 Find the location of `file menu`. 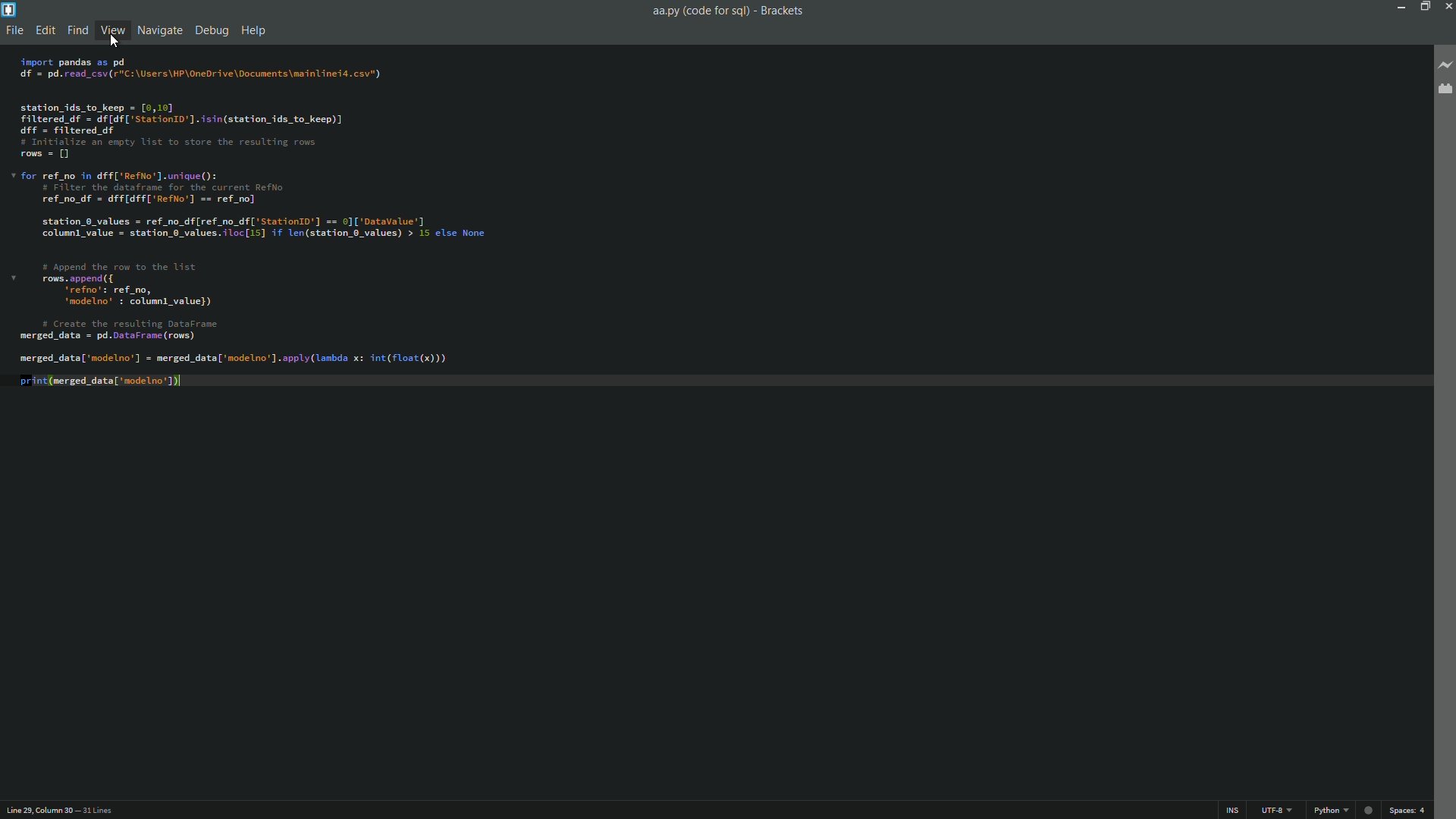

file menu is located at coordinates (13, 30).